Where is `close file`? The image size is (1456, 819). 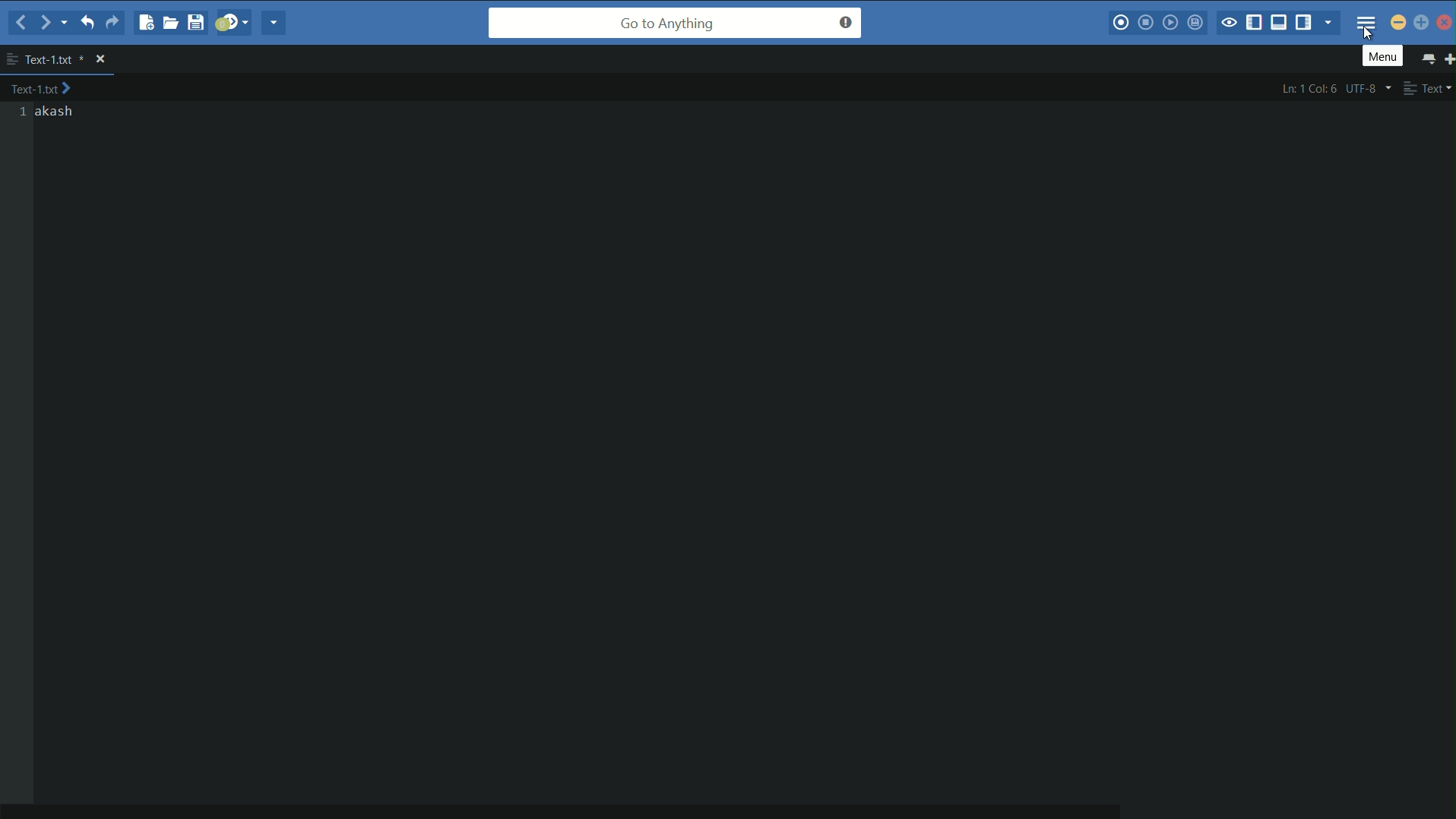
close file is located at coordinates (100, 59).